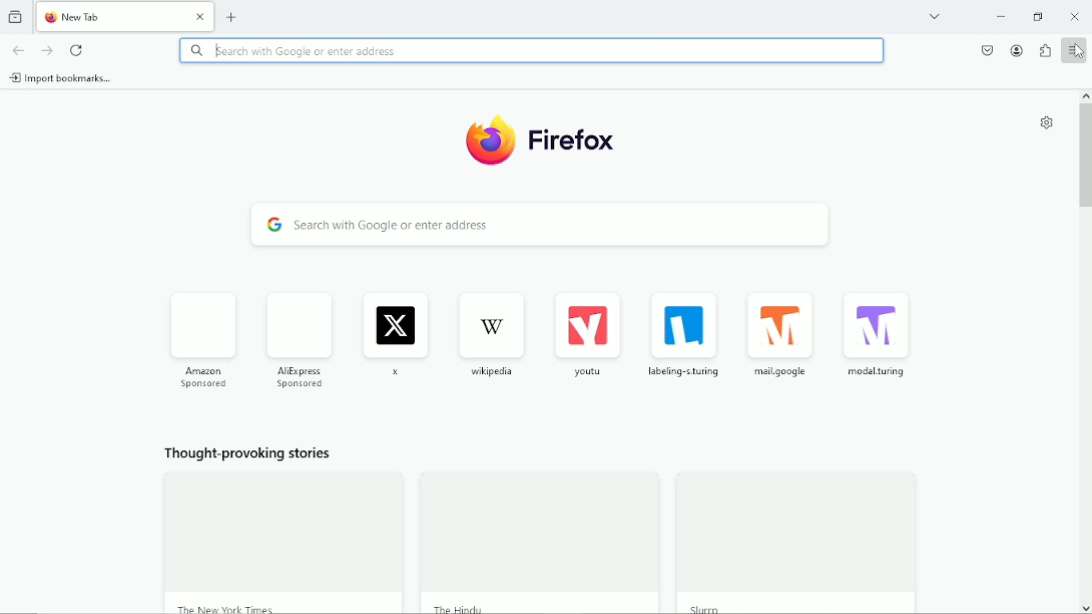 The image size is (1092, 614). I want to click on Search with Google or enter address, so click(541, 225).